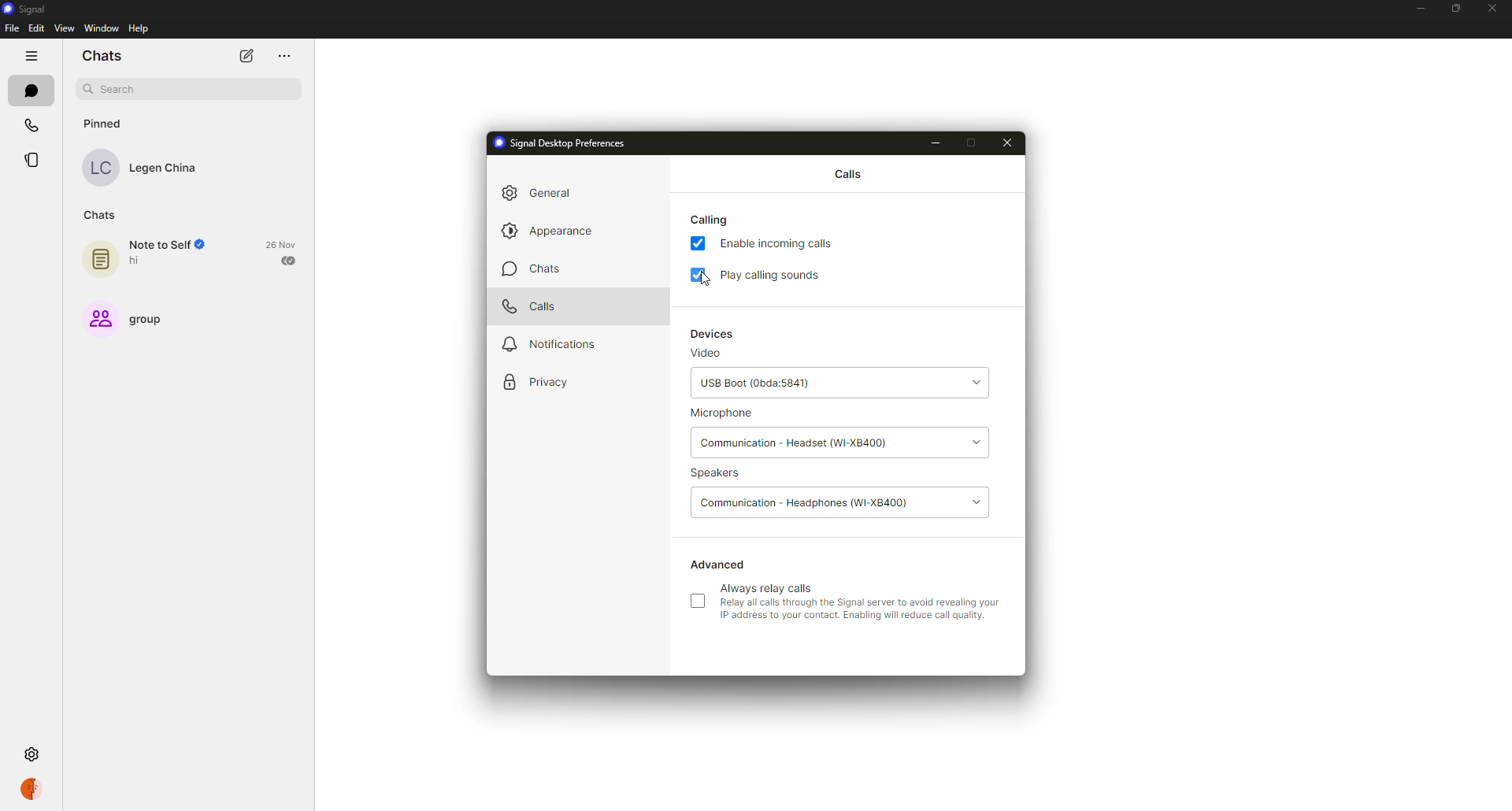  Describe the element at coordinates (139, 261) in the screenshot. I see `hi` at that location.